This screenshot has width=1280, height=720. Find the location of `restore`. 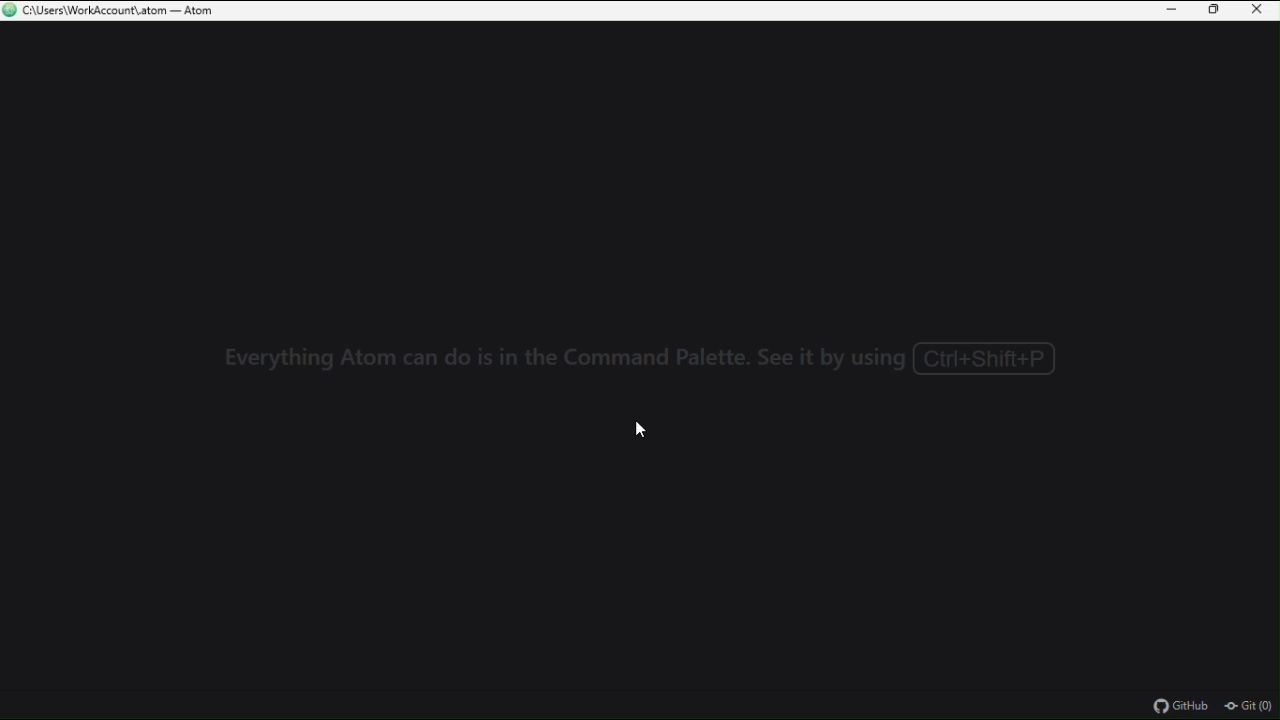

restore is located at coordinates (1217, 11).